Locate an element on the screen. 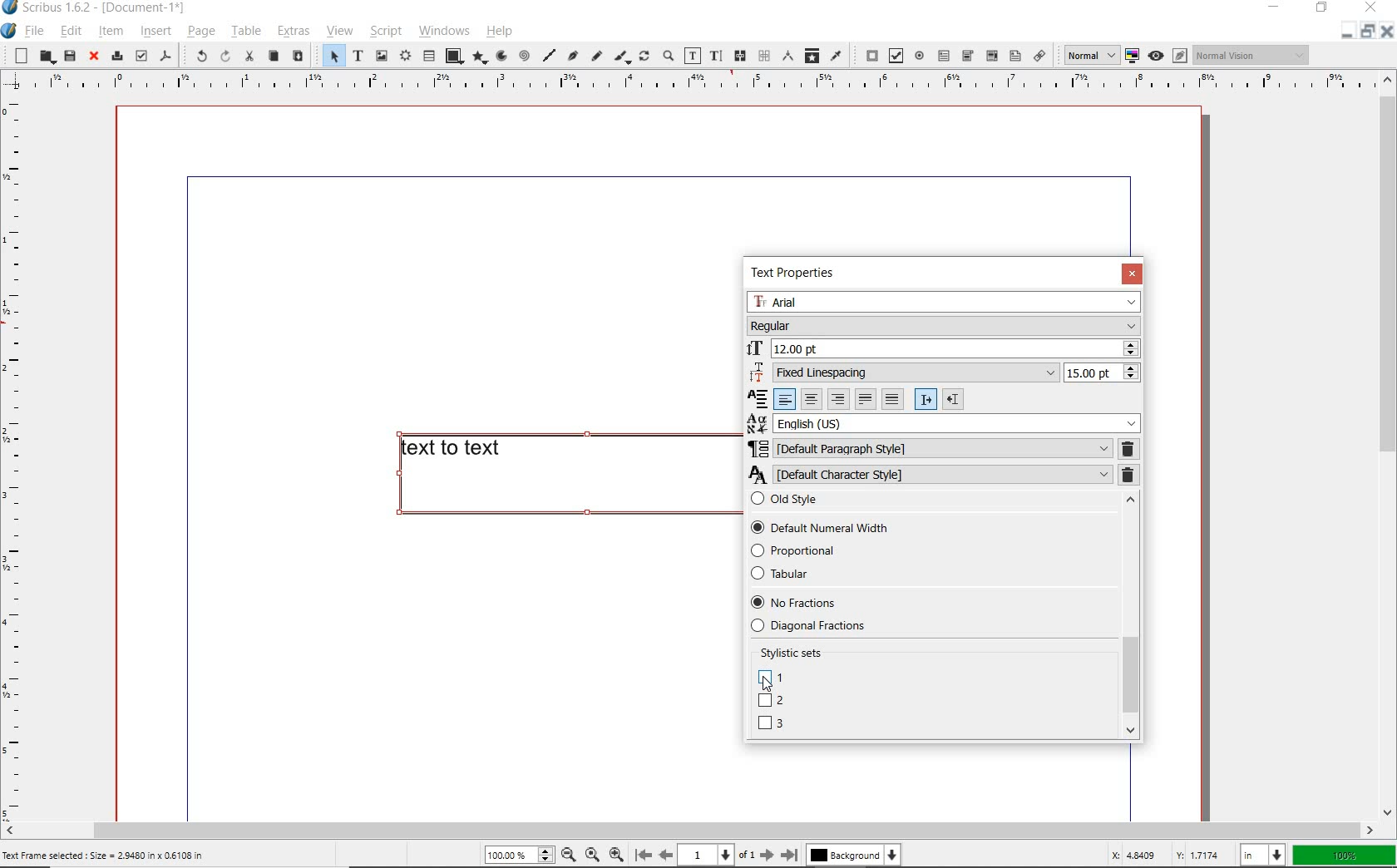  TEXT PROPERTIES is located at coordinates (799, 273).